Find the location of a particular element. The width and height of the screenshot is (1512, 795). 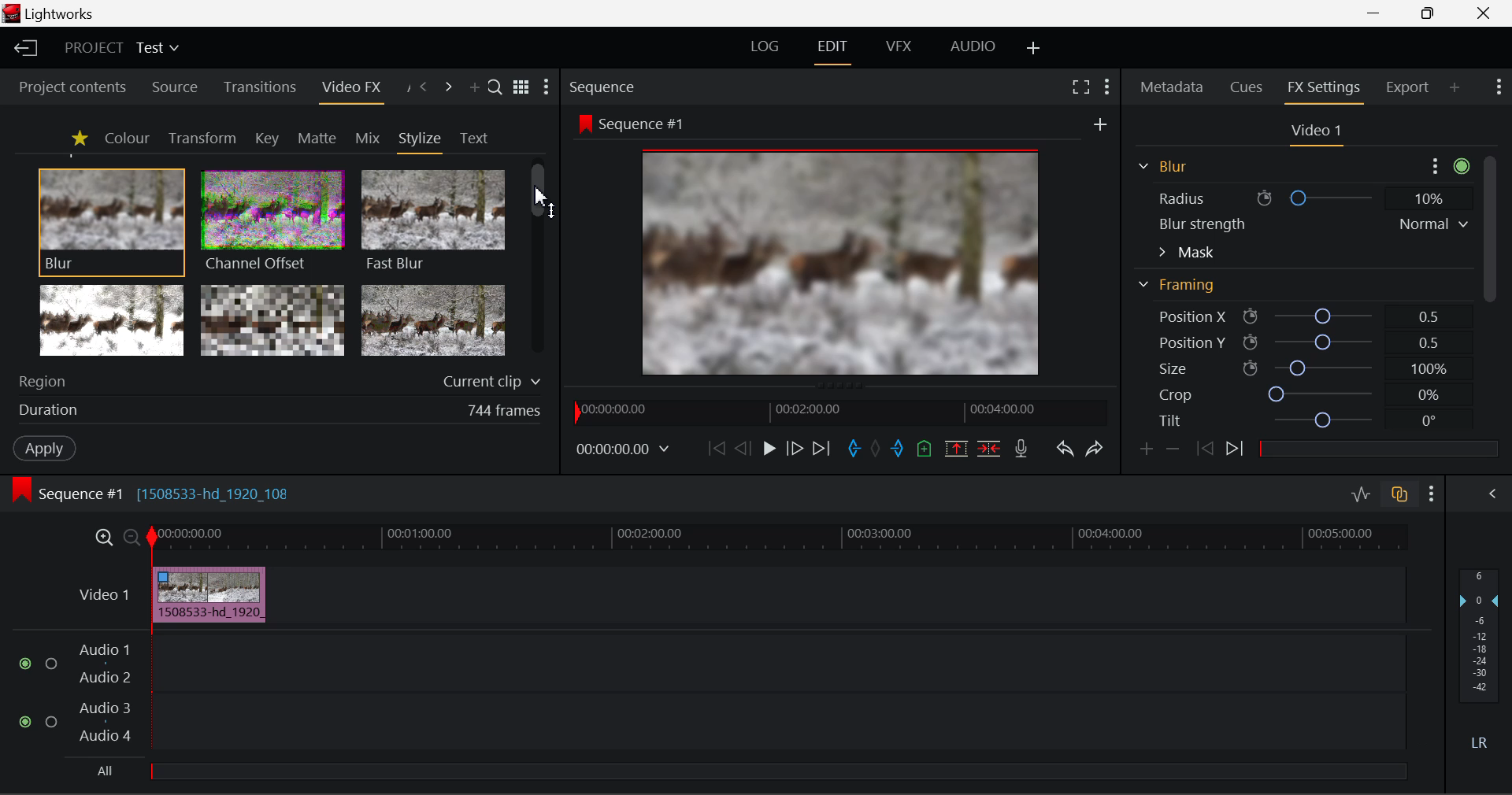

Timeline Zoom In is located at coordinates (103, 538).